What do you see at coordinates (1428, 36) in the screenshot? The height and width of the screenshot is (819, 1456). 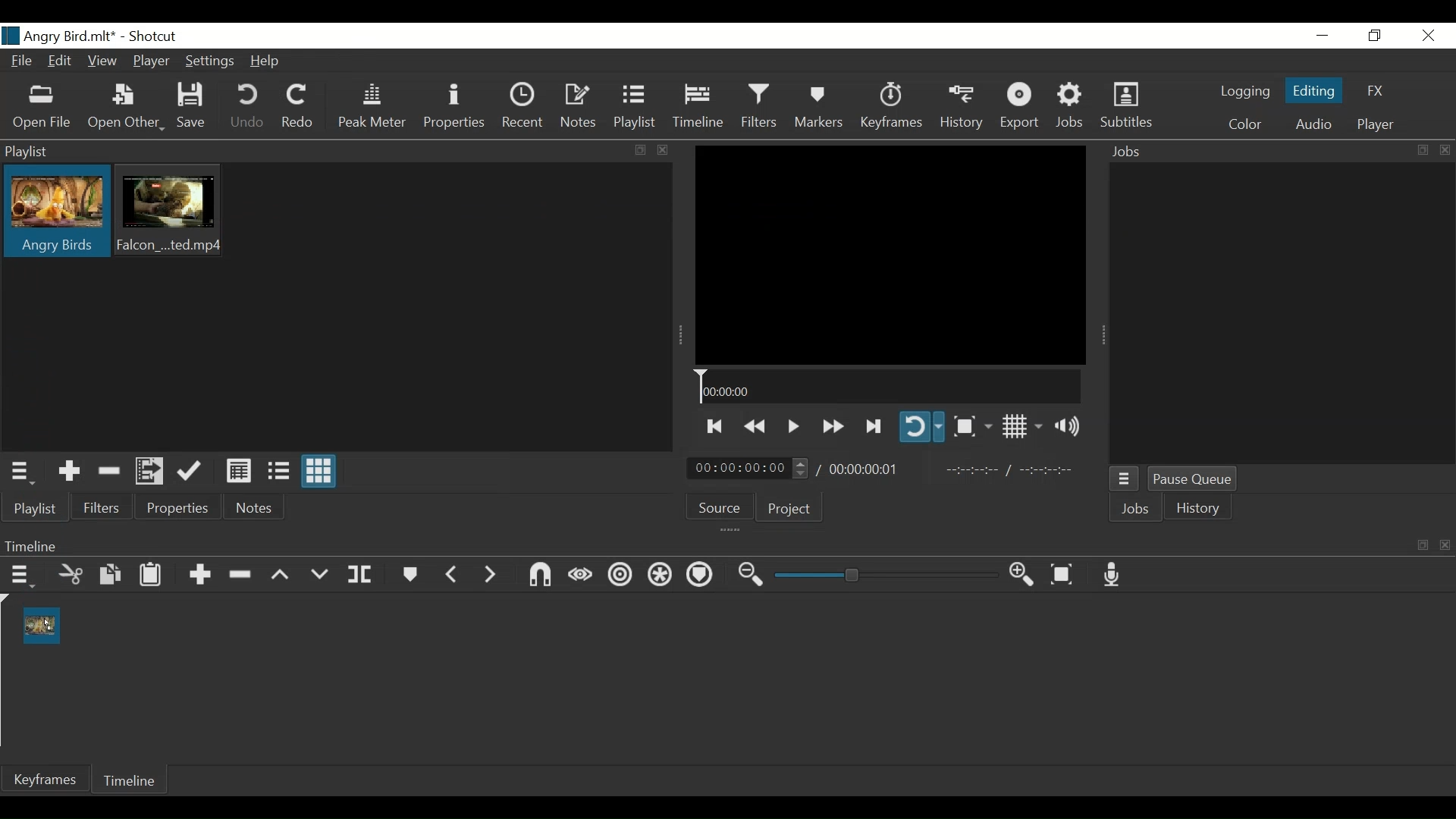 I see `Close` at bounding box center [1428, 36].